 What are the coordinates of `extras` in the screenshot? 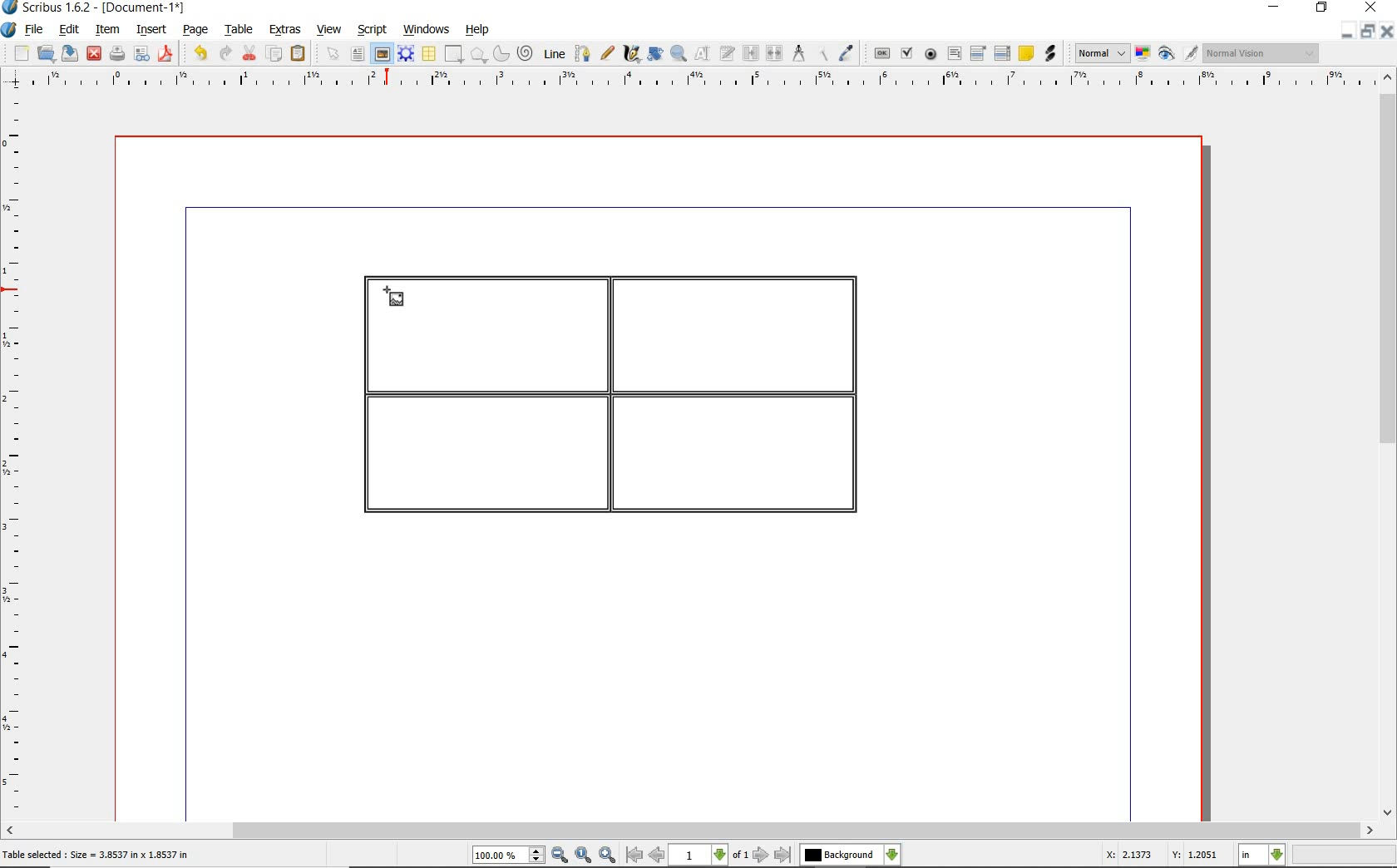 It's located at (285, 30).